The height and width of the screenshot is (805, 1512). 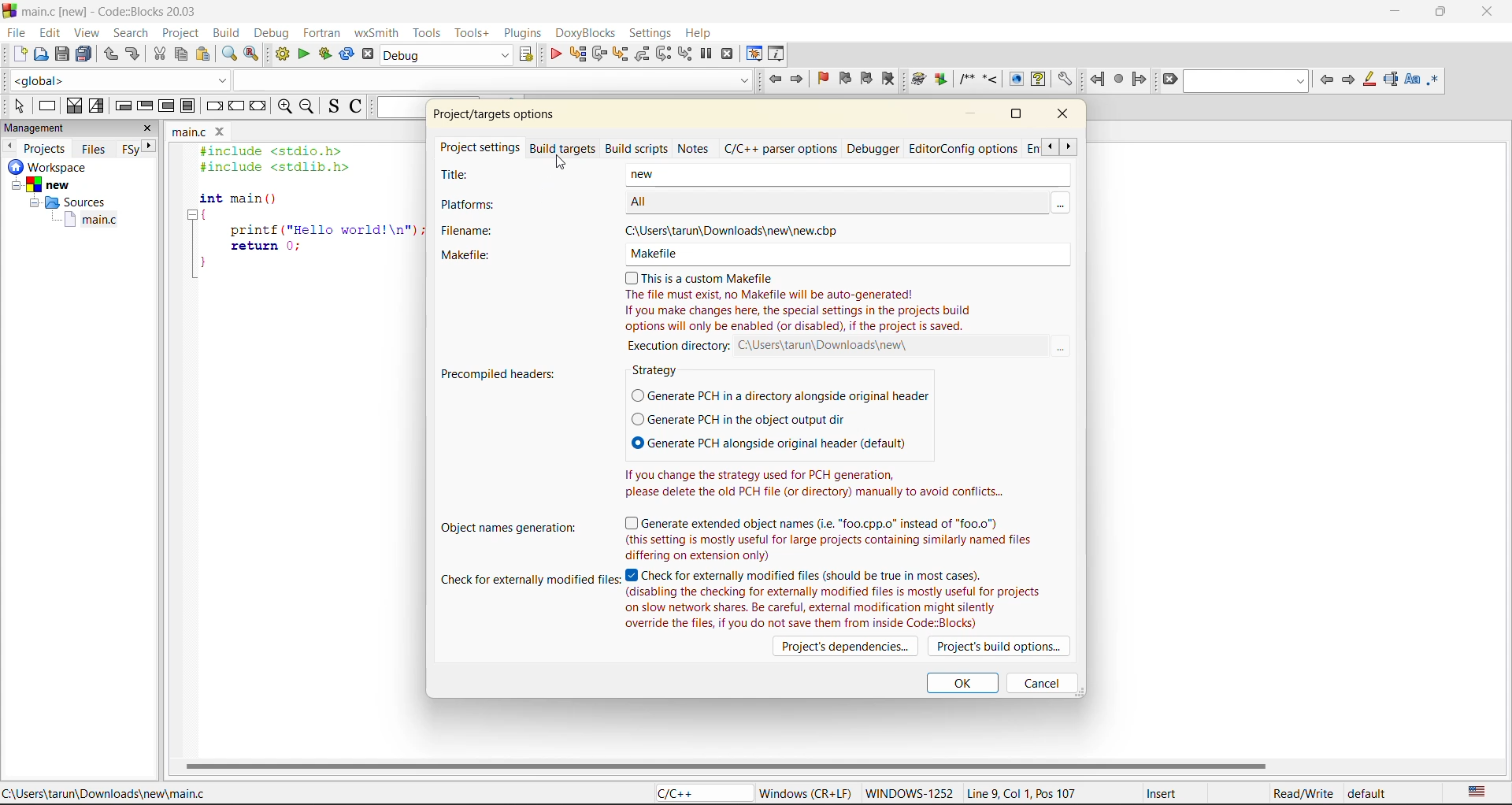 What do you see at coordinates (65, 202) in the screenshot?
I see `Sources` at bounding box center [65, 202].